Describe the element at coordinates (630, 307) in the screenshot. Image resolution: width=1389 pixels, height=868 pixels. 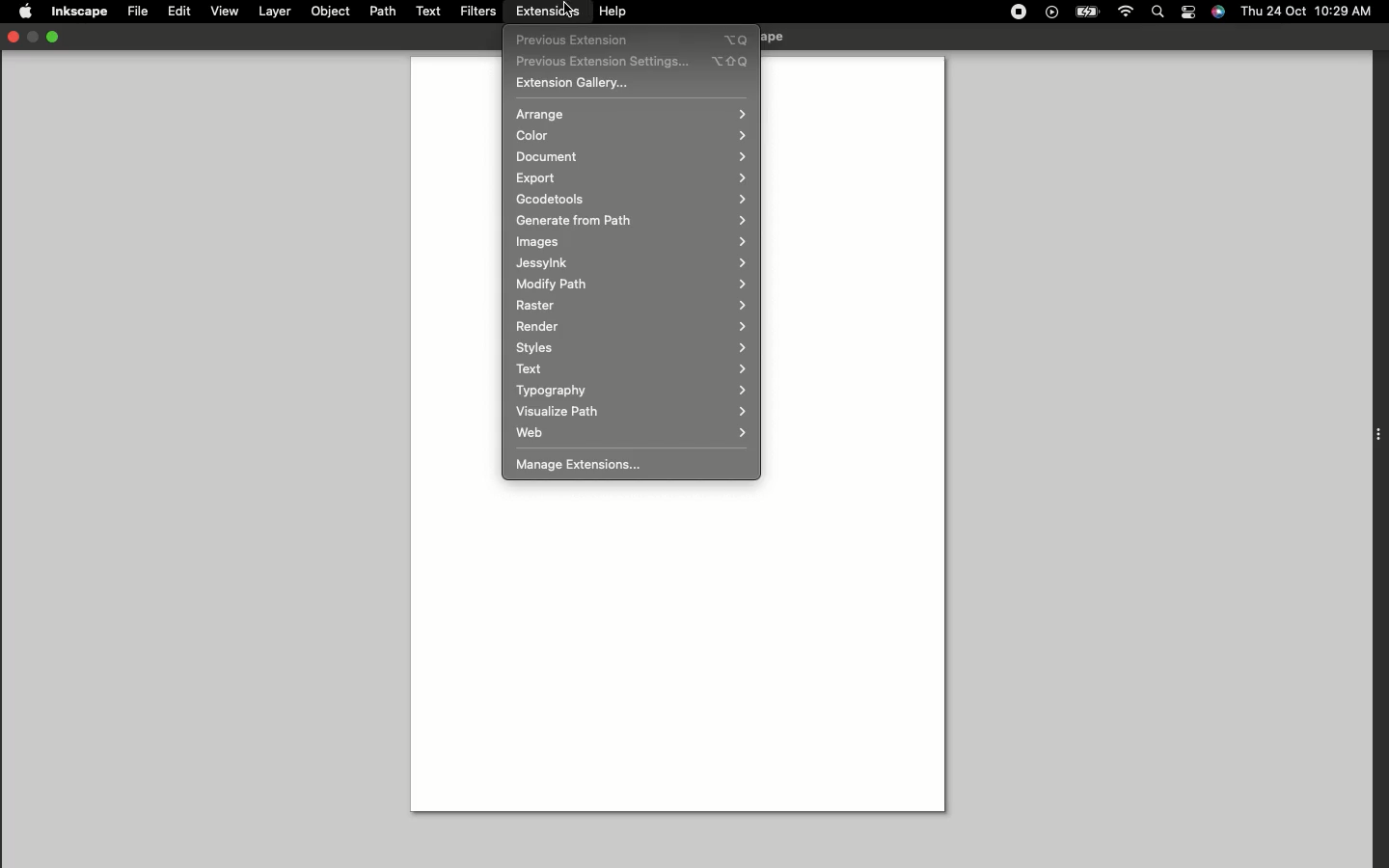
I see `Raster` at that location.